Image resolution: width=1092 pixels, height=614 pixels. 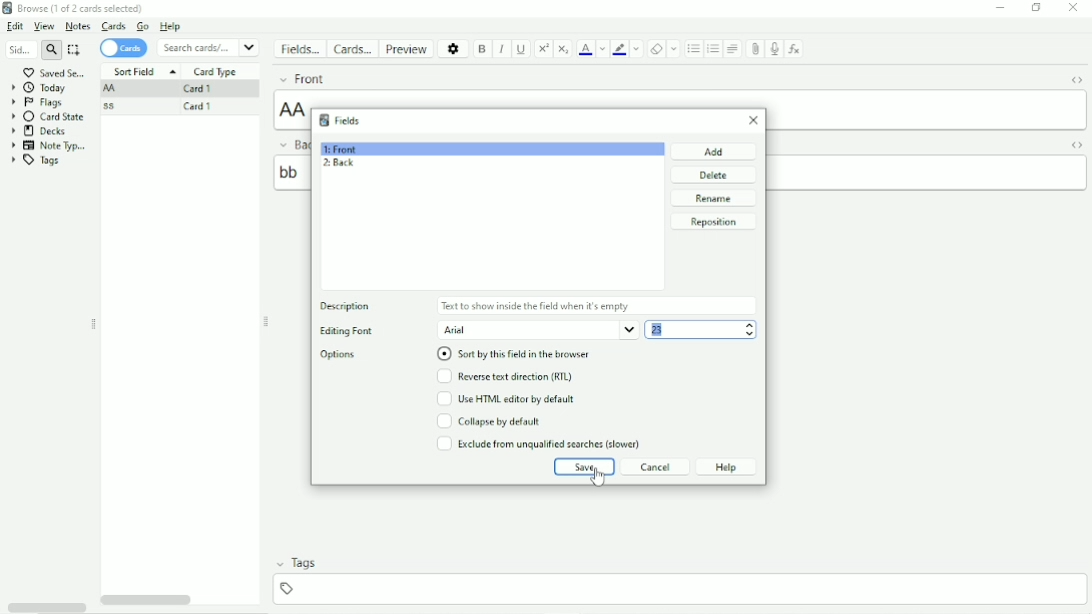 What do you see at coordinates (999, 8) in the screenshot?
I see `Minimize` at bounding box center [999, 8].